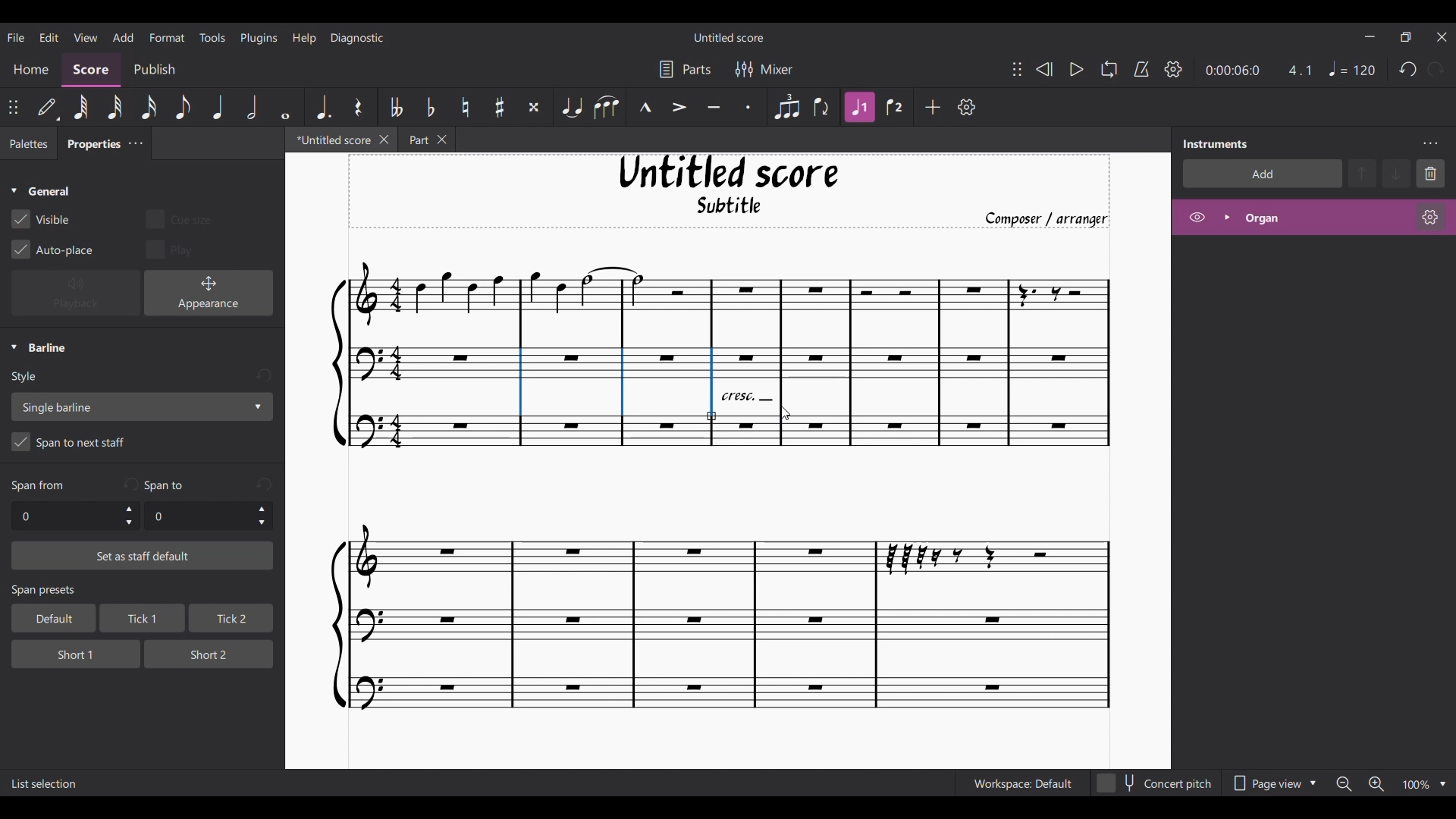 This screenshot has width=1456, height=819. I want to click on Score section, so click(91, 68).